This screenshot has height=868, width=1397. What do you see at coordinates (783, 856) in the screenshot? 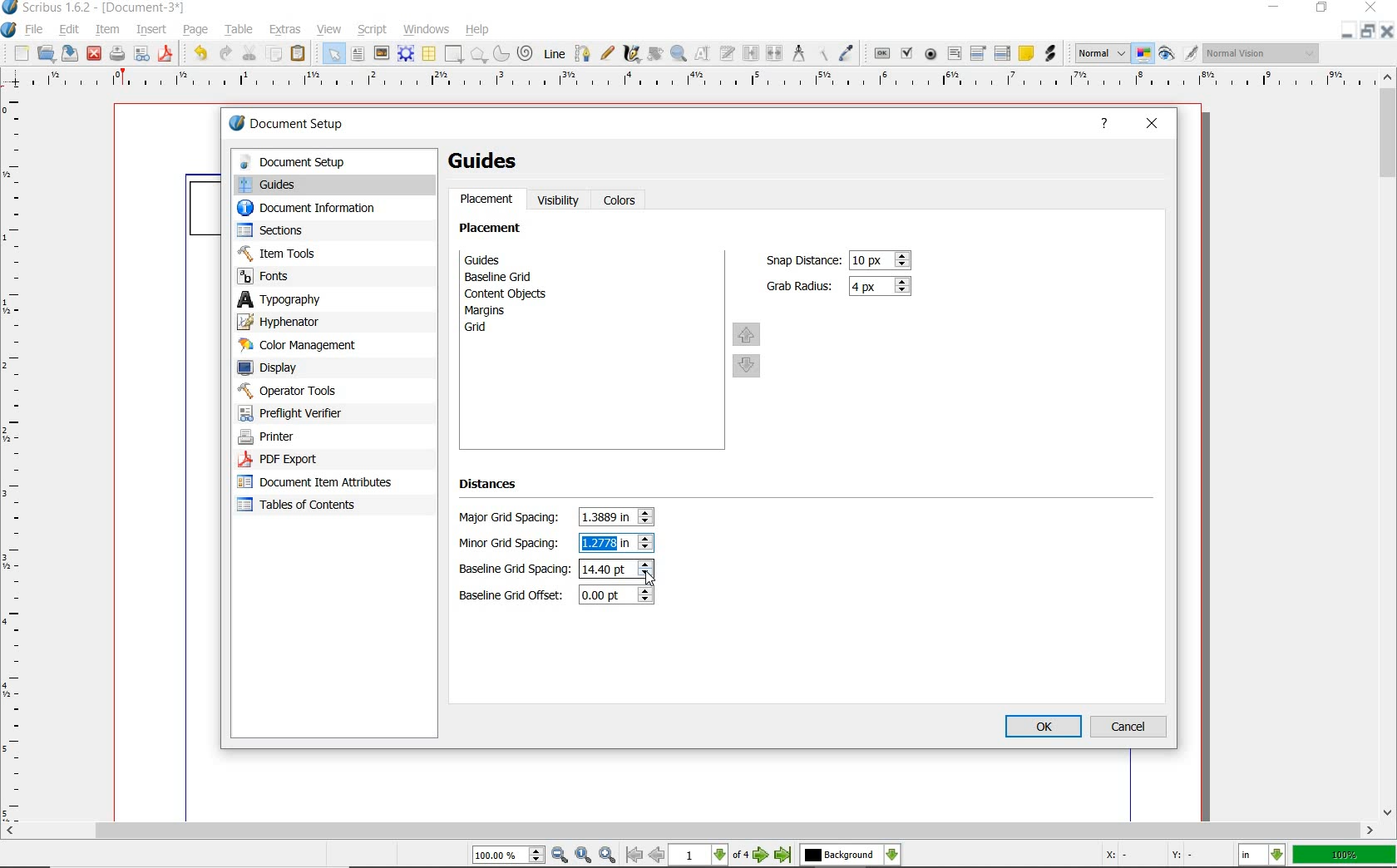
I see `go to last page` at bounding box center [783, 856].